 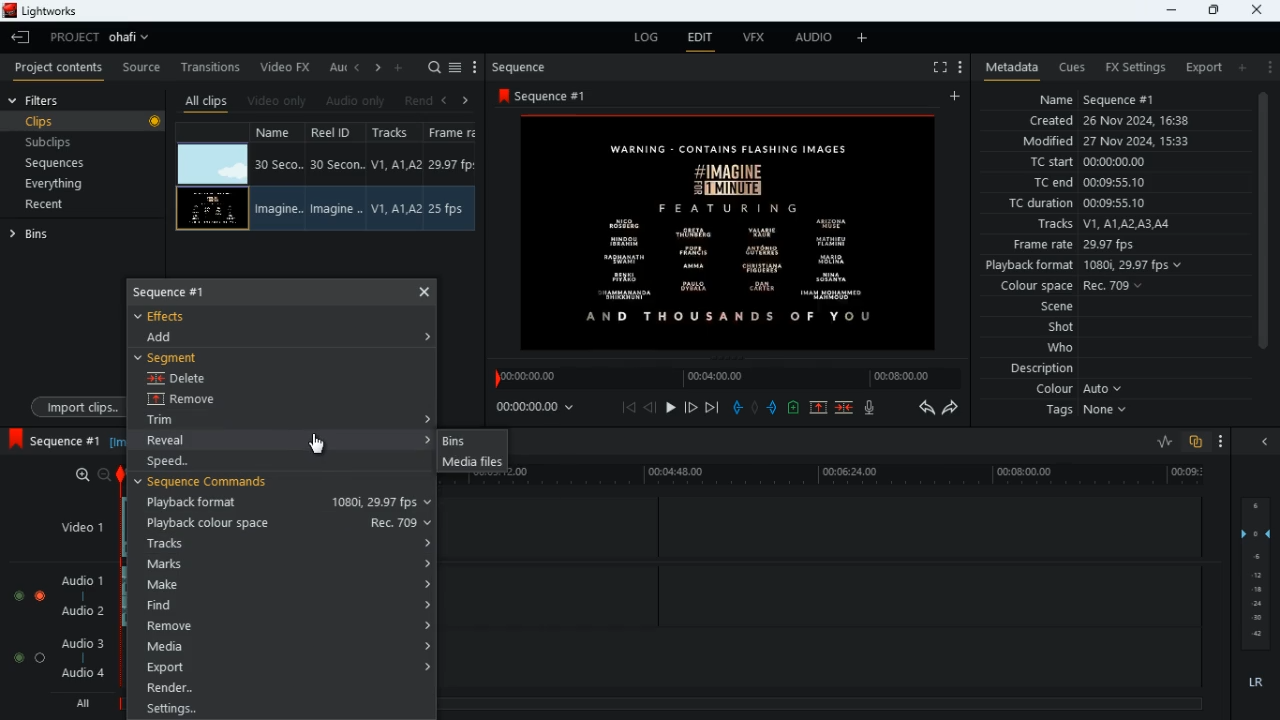 What do you see at coordinates (334, 135) in the screenshot?
I see `reel id` at bounding box center [334, 135].